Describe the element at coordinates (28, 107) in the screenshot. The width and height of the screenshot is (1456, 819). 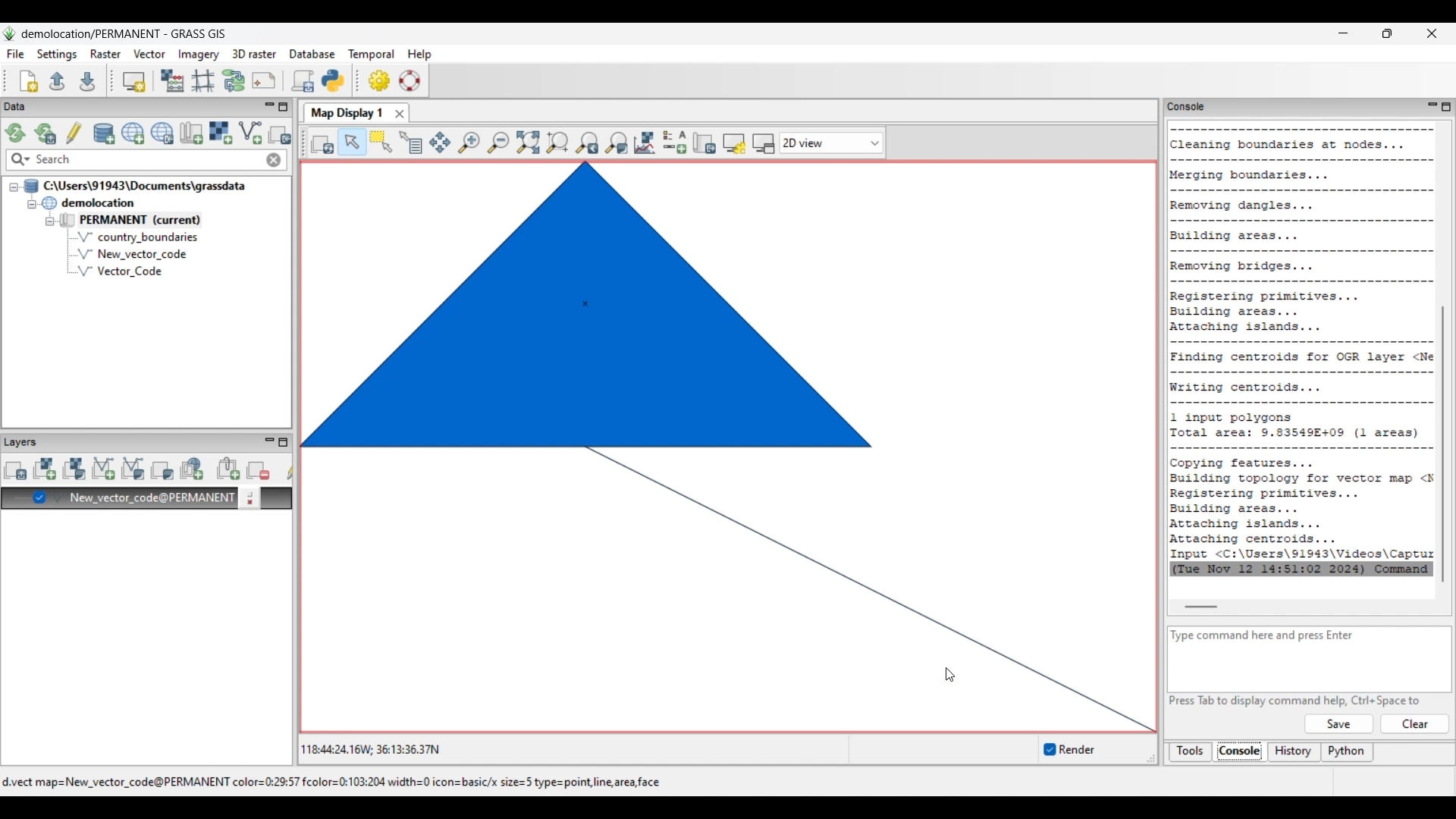
I see `Data` at that location.